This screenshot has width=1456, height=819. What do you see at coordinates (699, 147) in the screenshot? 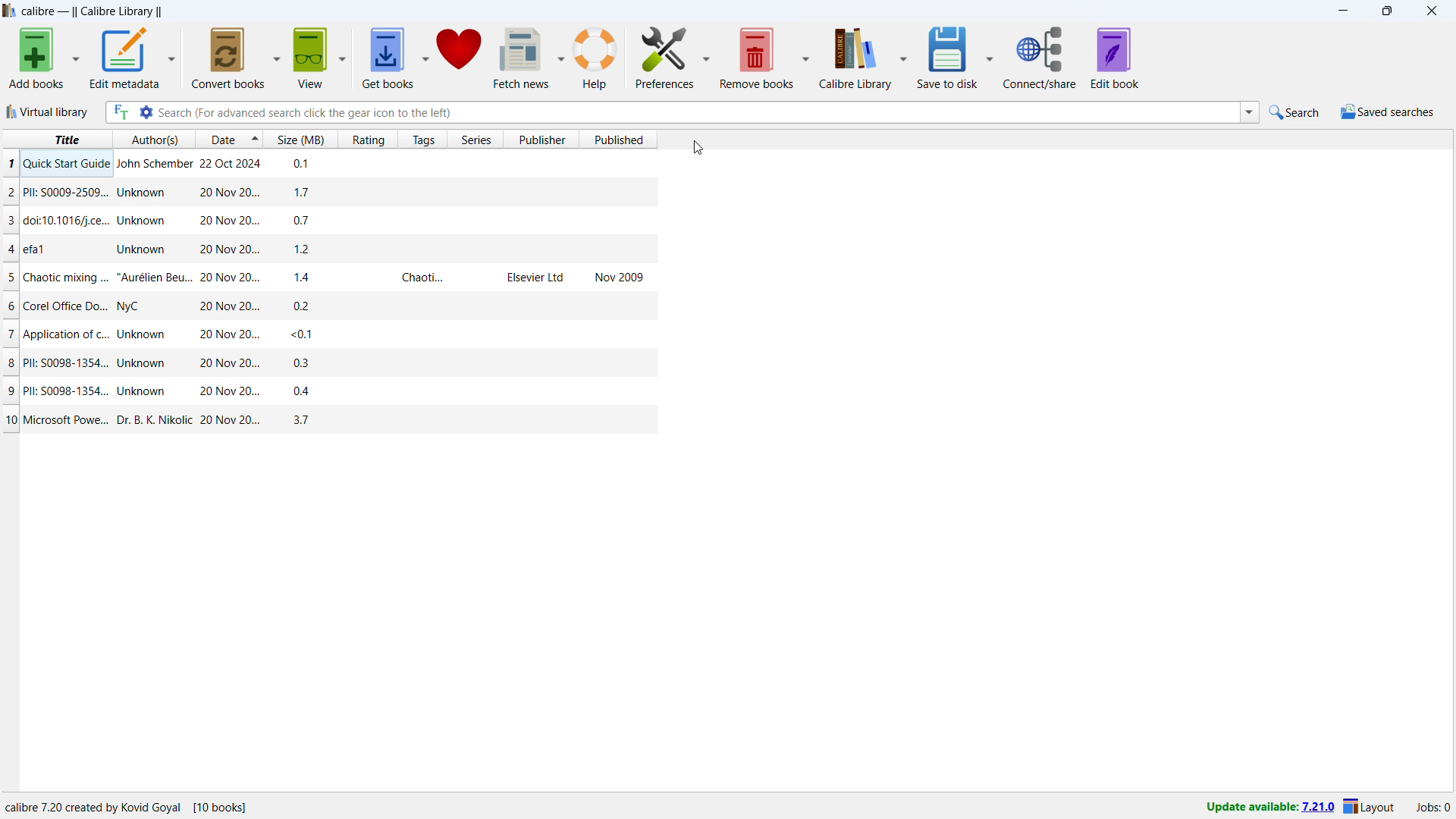
I see `cursor` at bounding box center [699, 147].